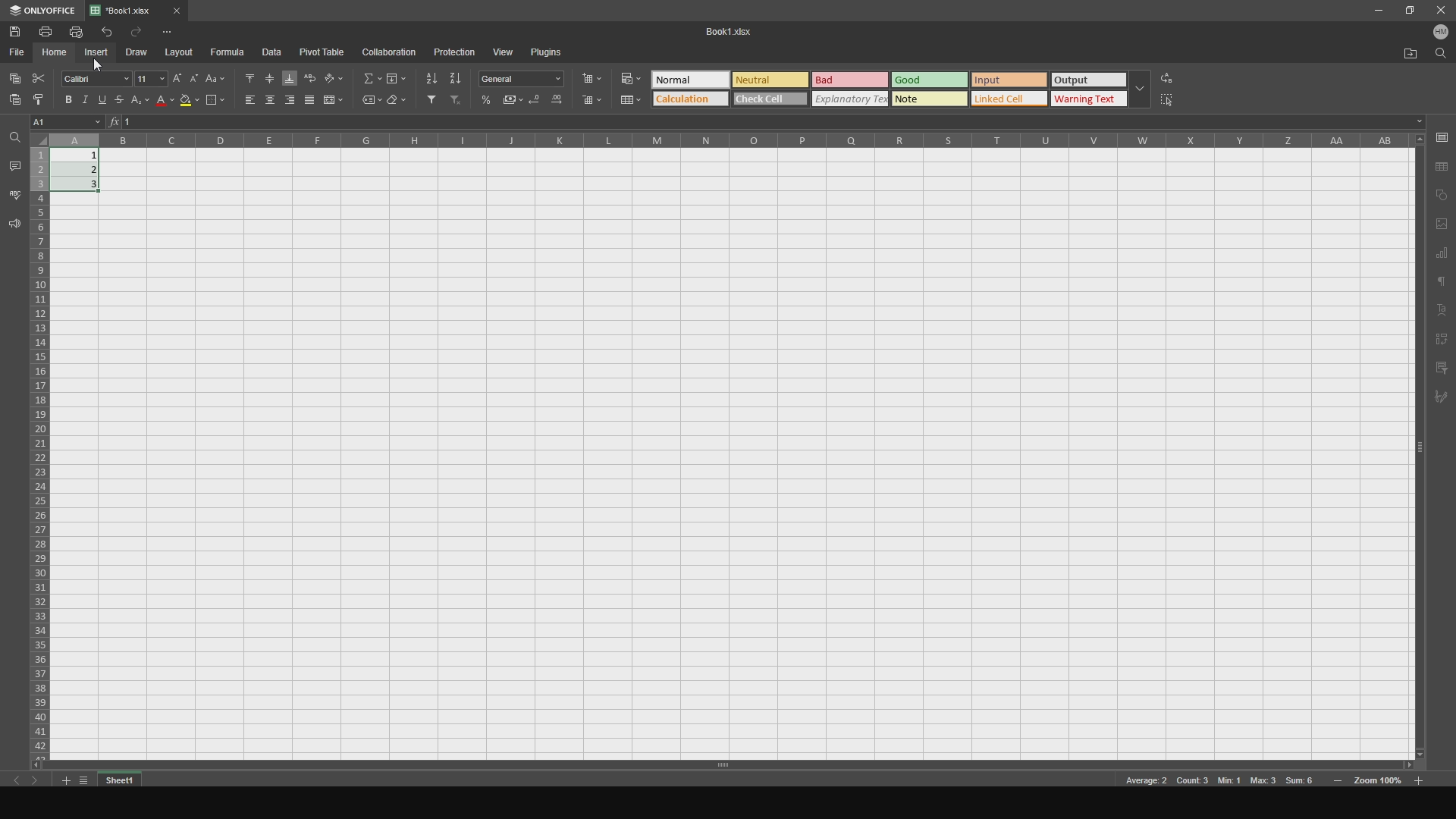  What do you see at coordinates (1377, 12) in the screenshot?
I see `minimize` at bounding box center [1377, 12].